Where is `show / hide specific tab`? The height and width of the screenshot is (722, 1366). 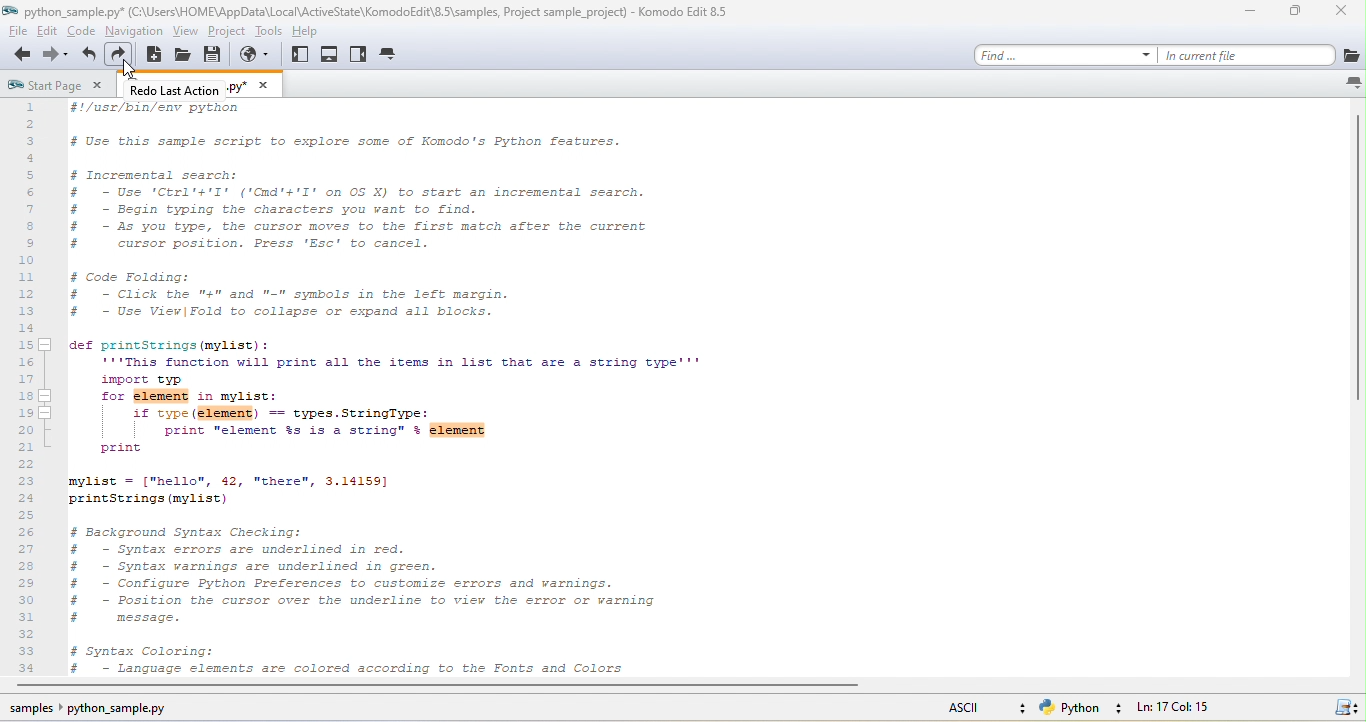
show / hide specific tab is located at coordinates (398, 58).